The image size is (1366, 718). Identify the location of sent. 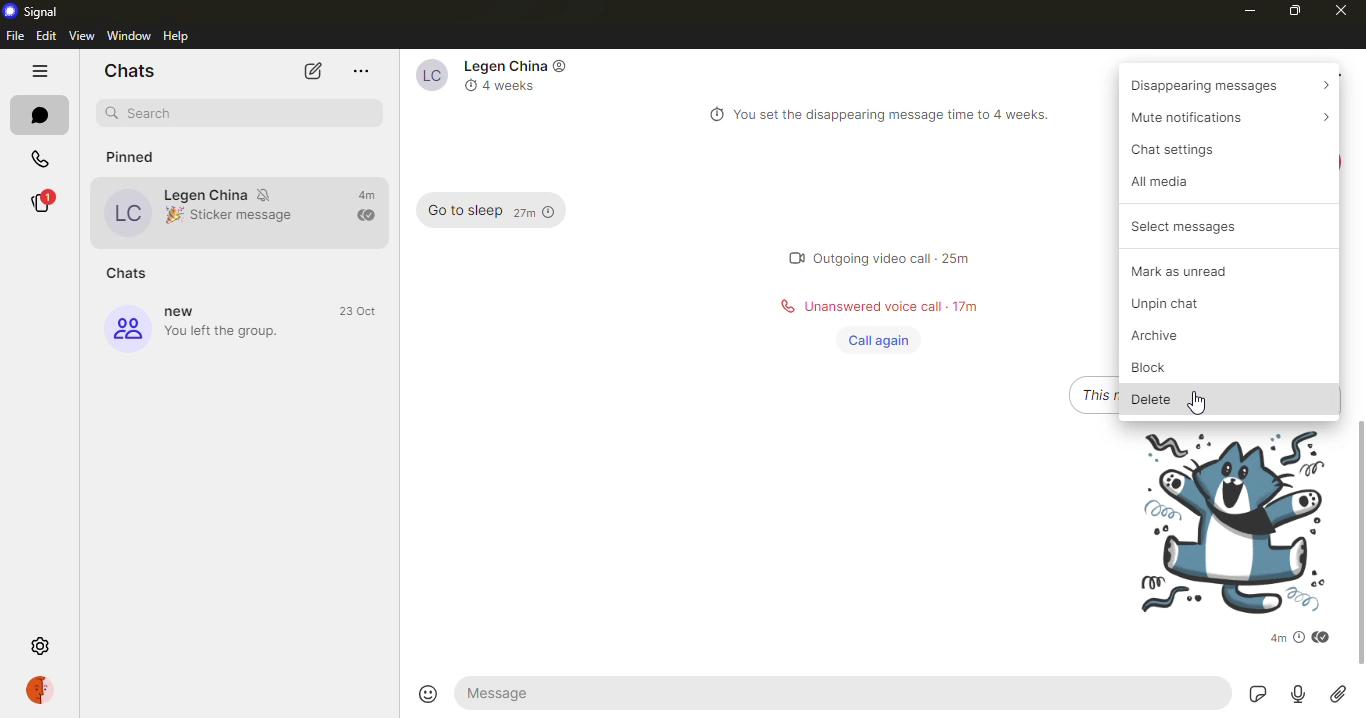
(365, 215).